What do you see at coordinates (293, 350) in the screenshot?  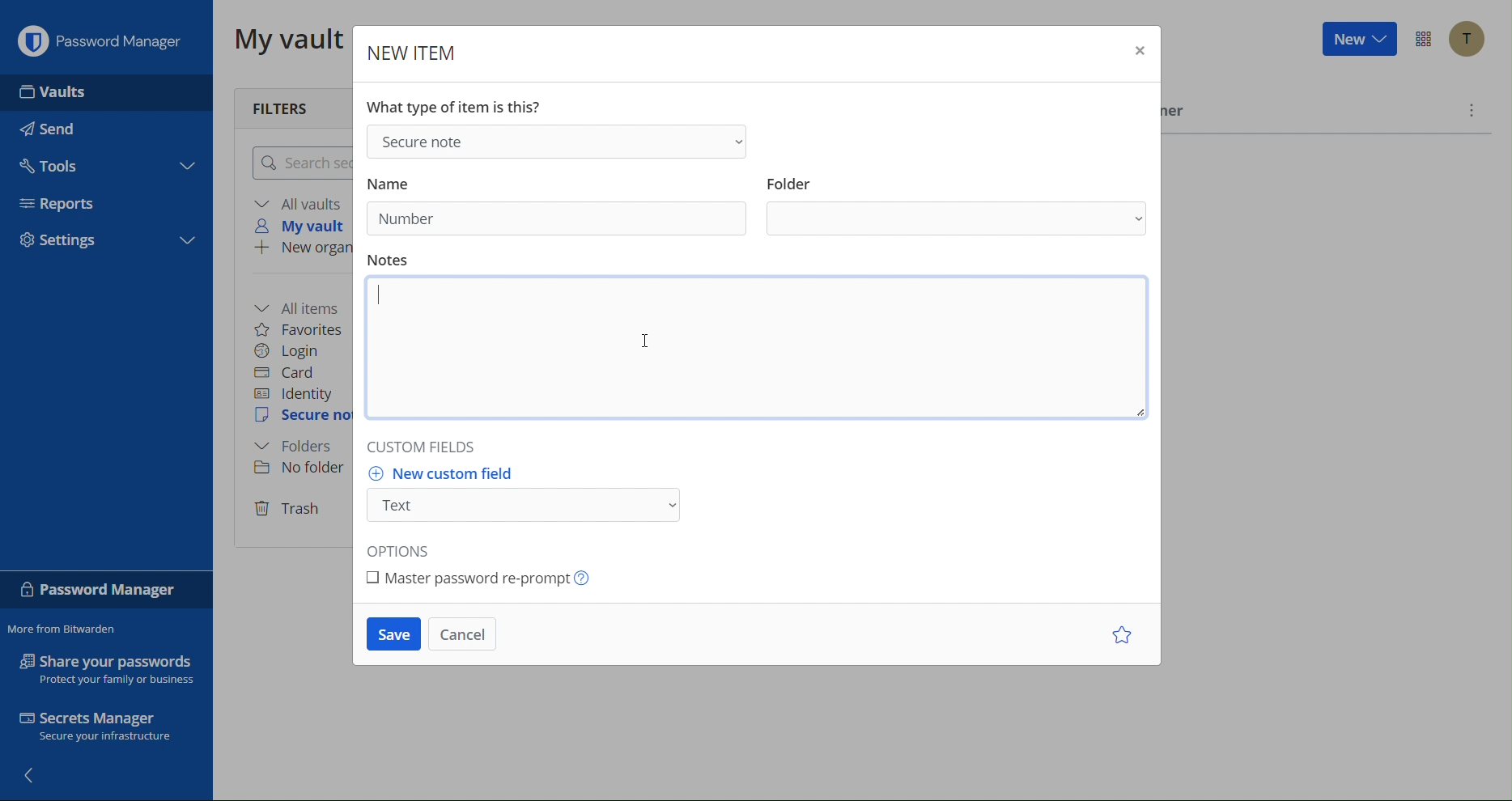 I see `Login` at bounding box center [293, 350].